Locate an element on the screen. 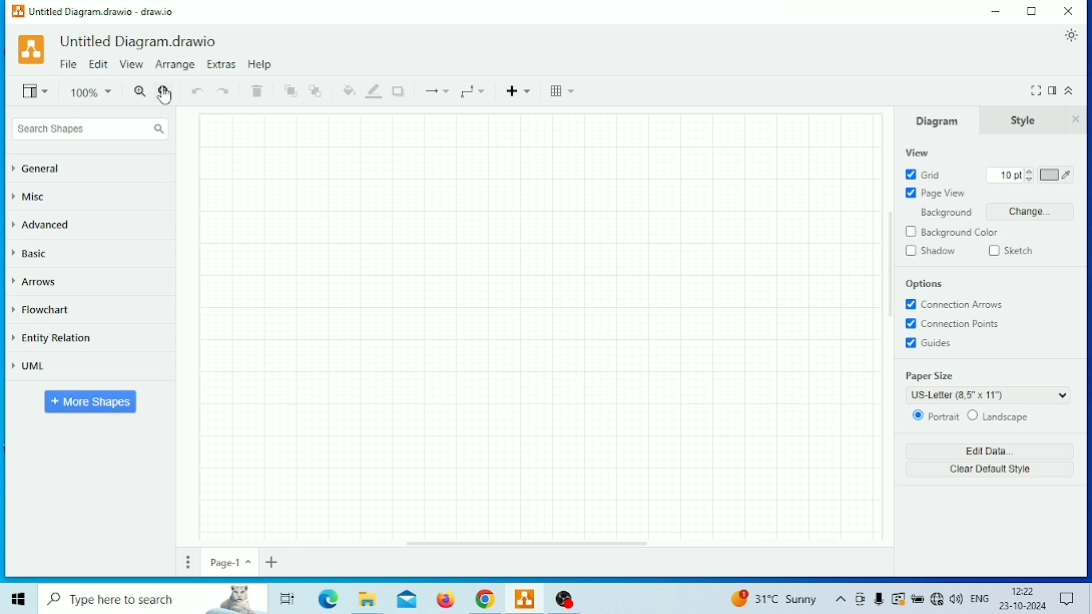 This screenshot has width=1092, height=614. Shadow is located at coordinates (399, 90).